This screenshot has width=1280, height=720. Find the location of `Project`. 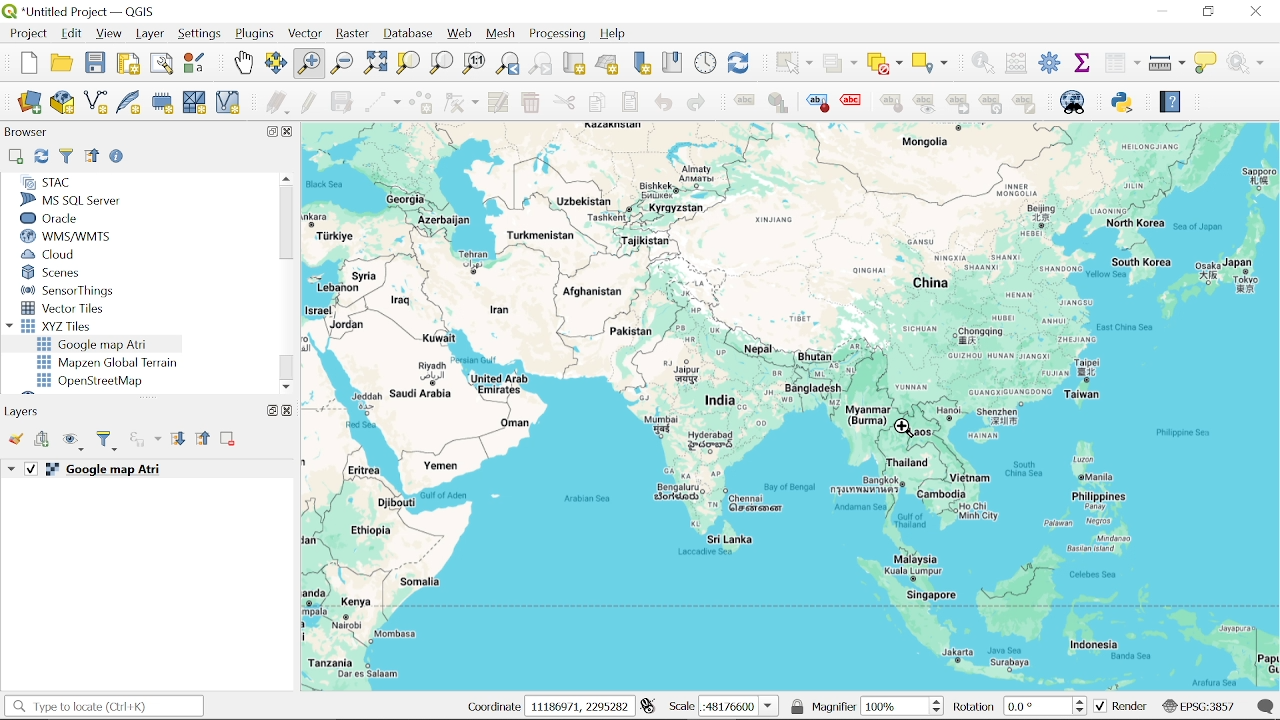

Project is located at coordinates (26, 34).